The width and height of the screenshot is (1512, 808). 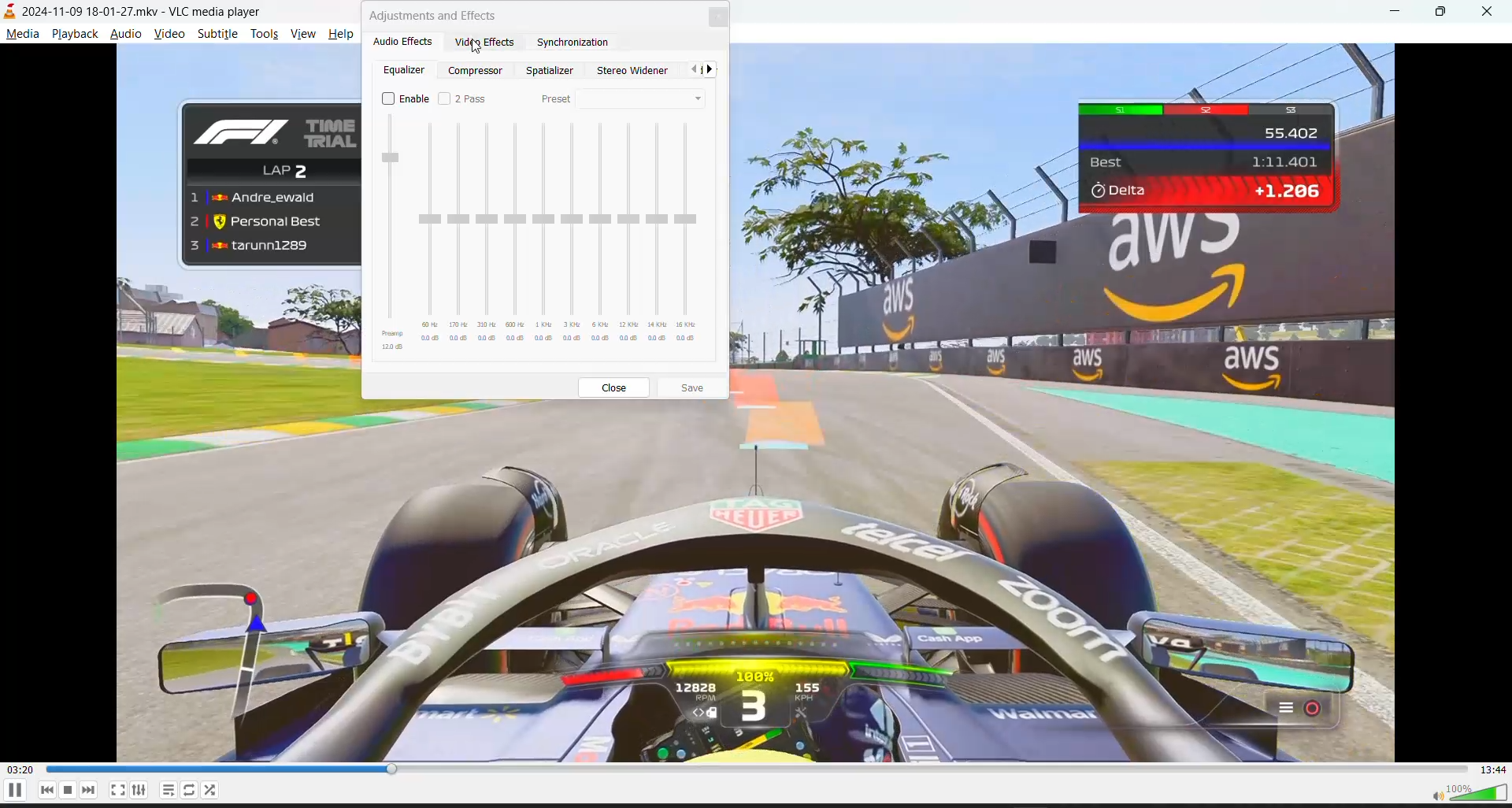 What do you see at coordinates (169, 790) in the screenshot?
I see `playlist` at bounding box center [169, 790].